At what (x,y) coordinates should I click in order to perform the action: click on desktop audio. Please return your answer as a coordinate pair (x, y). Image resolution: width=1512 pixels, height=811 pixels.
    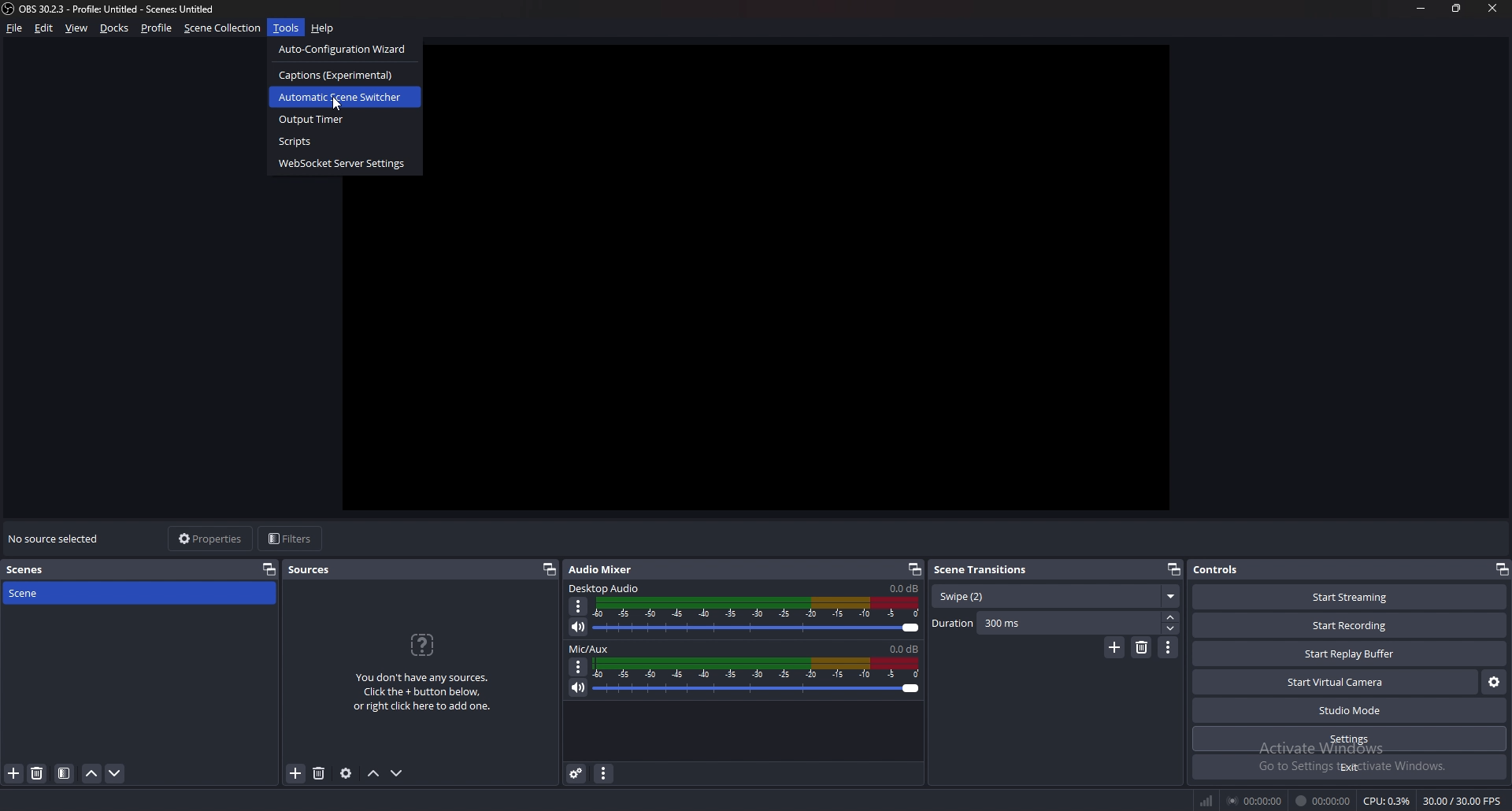
    Looking at the image, I should click on (605, 588).